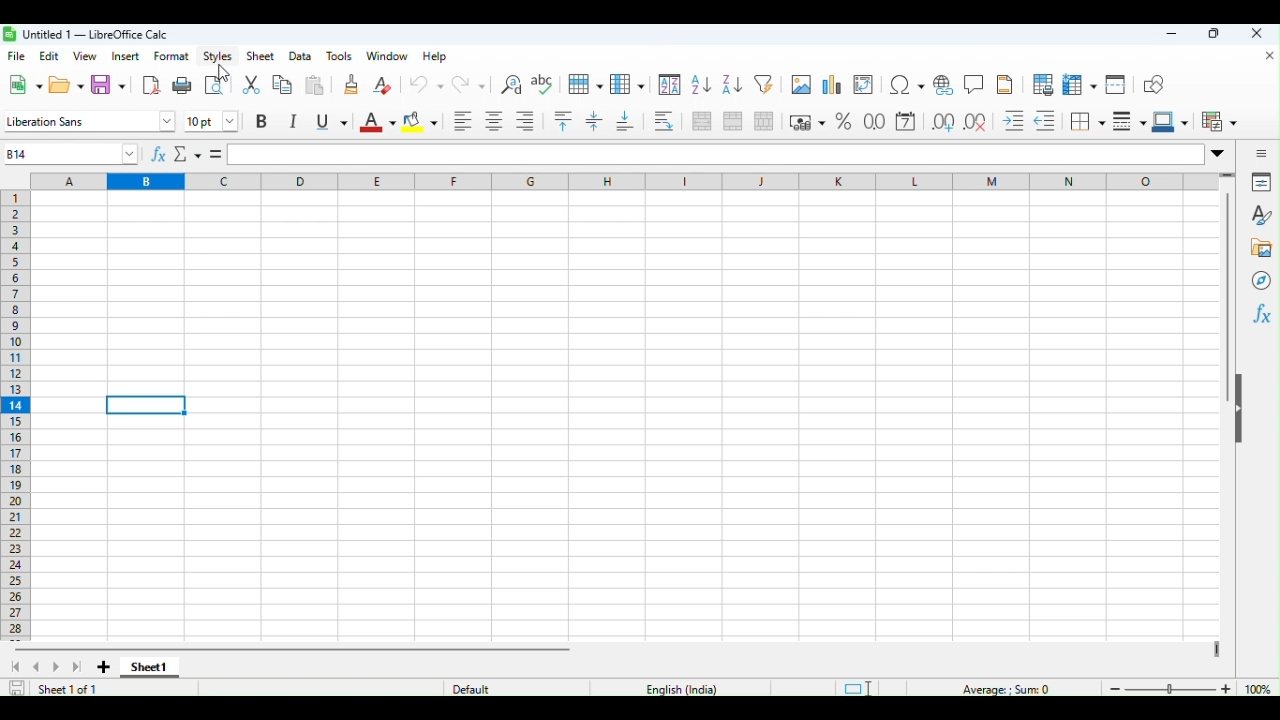  I want to click on Insert comment, so click(975, 83).